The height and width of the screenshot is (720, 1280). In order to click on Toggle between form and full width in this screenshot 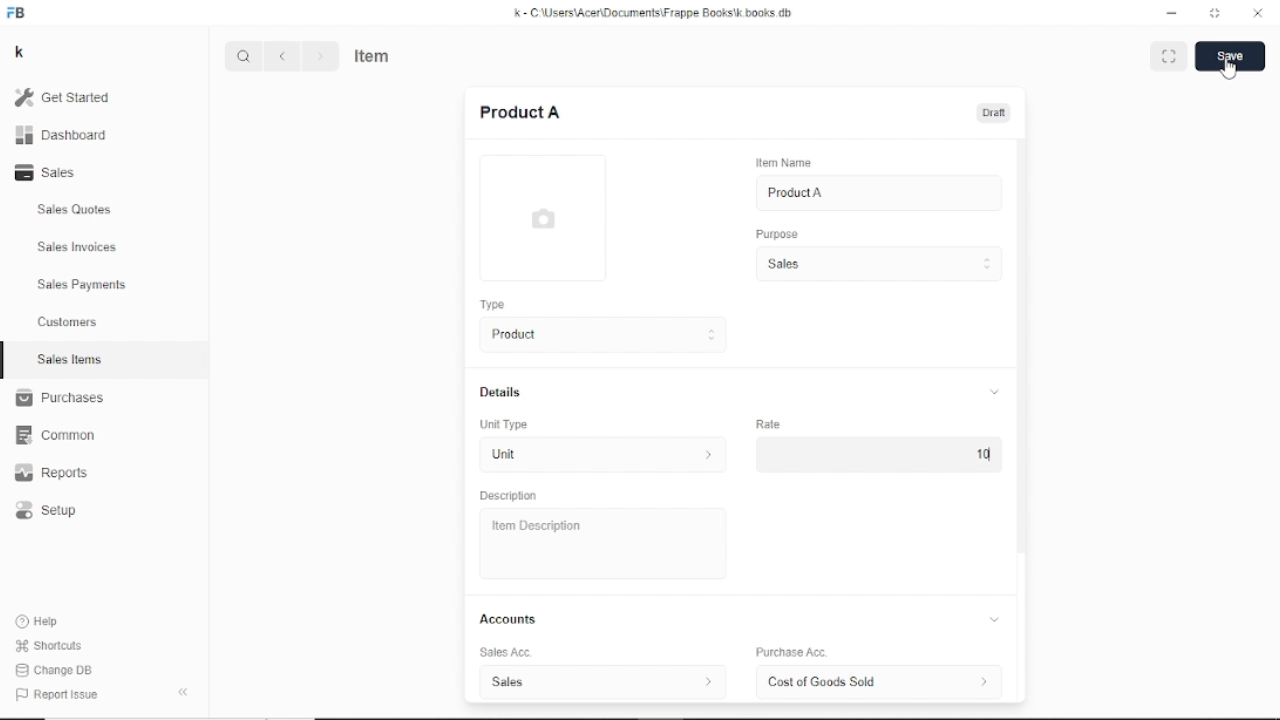, I will do `click(1215, 12)`.